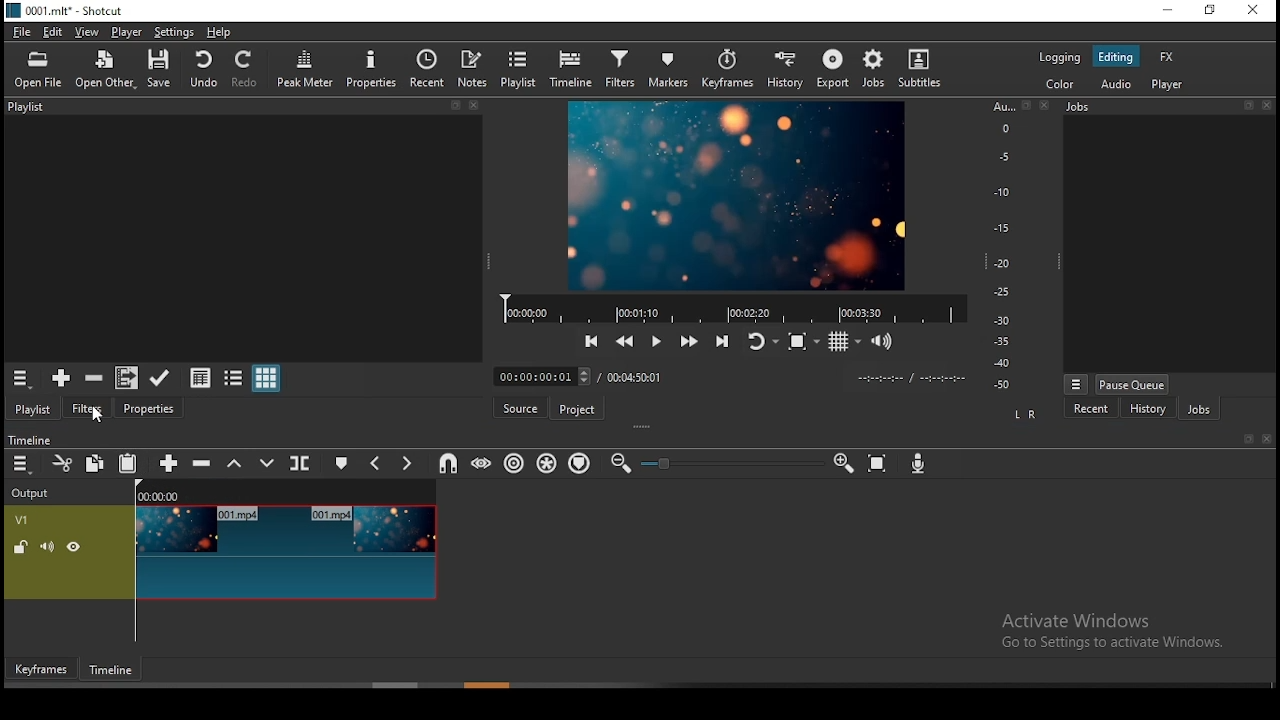 This screenshot has height=720, width=1280. Describe the element at coordinates (482, 464) in the screenshot. I see `scrub while dragging` at that location.